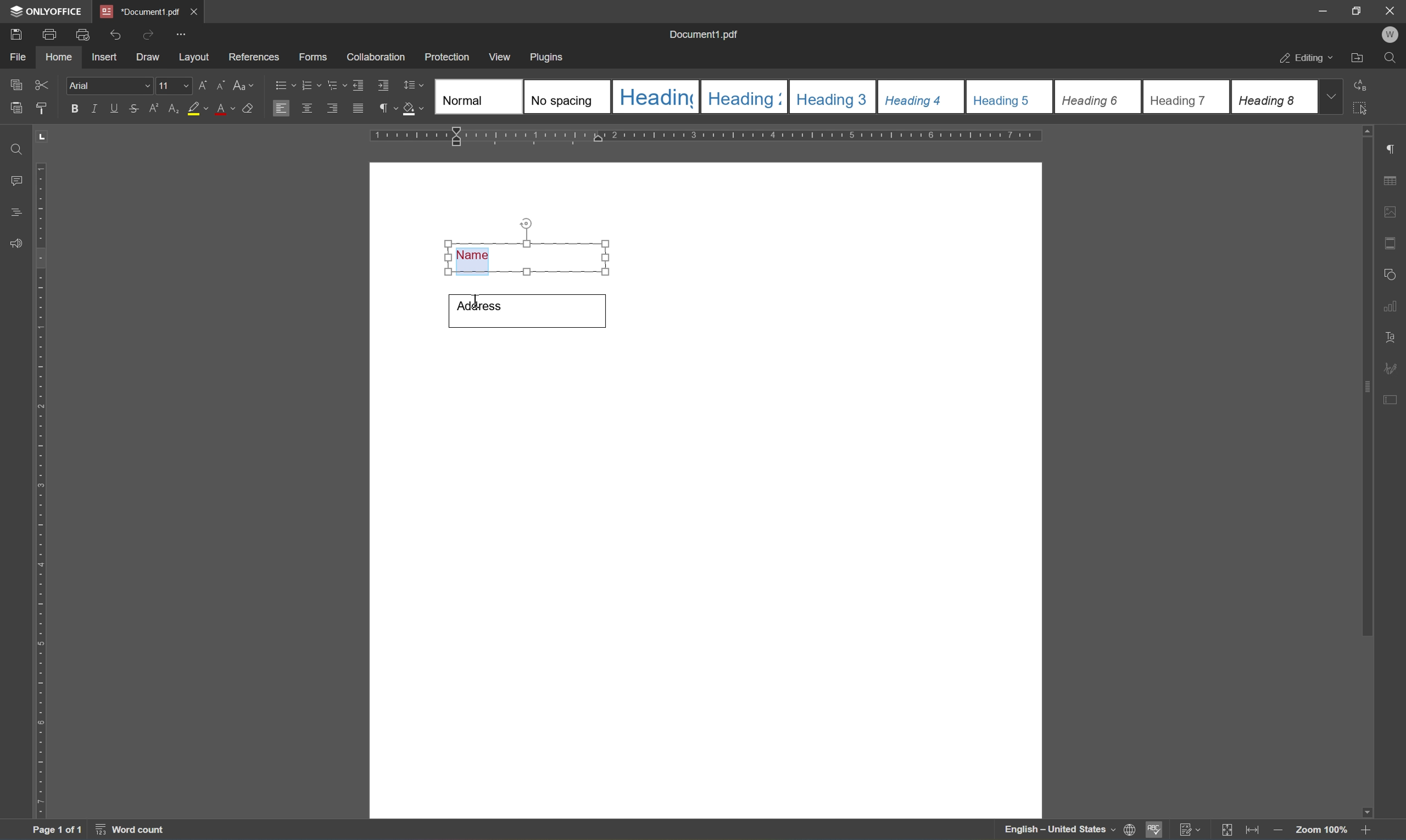 The image size is (1406, 840). Describe the element at coordinates (16, 33) in the screenshot. I see `save` at that location.